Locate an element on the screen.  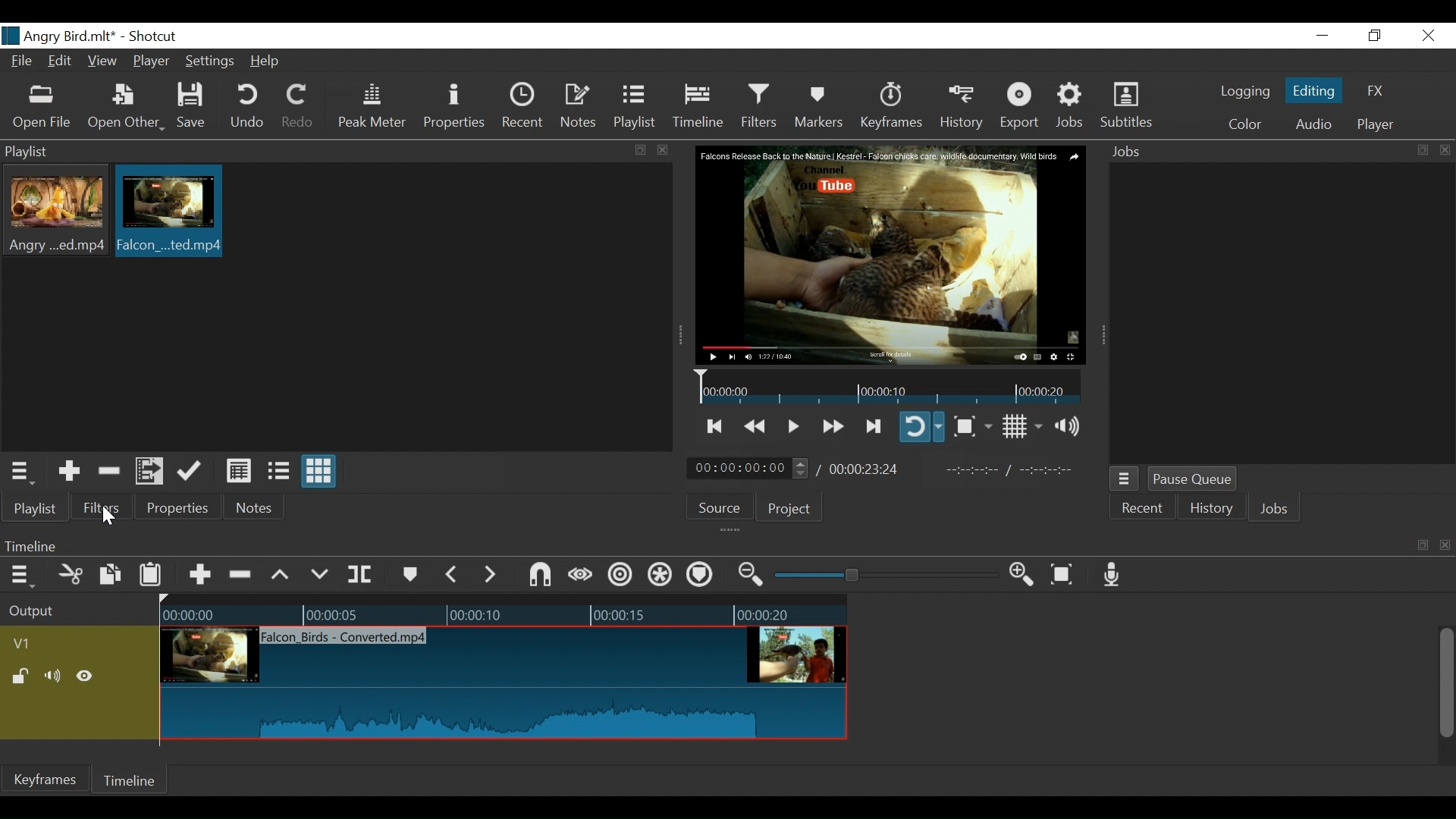
Record audio is located at coordinates (1112, 574).